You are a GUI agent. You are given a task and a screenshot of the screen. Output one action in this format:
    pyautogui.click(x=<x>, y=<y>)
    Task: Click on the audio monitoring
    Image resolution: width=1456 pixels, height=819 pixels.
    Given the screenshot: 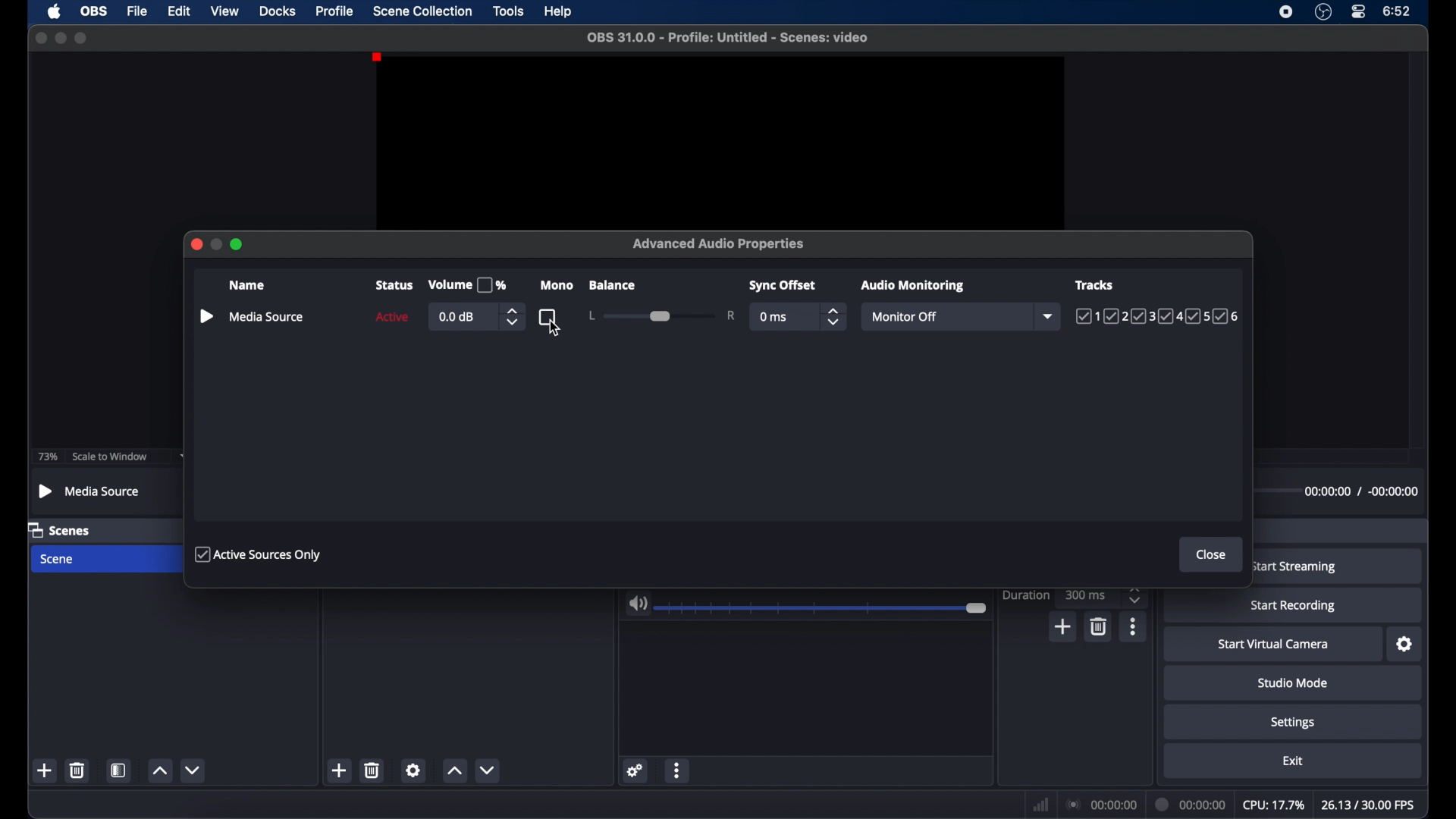 What is the action you would take?
    pyautogui.click(x=914, y=286)
    